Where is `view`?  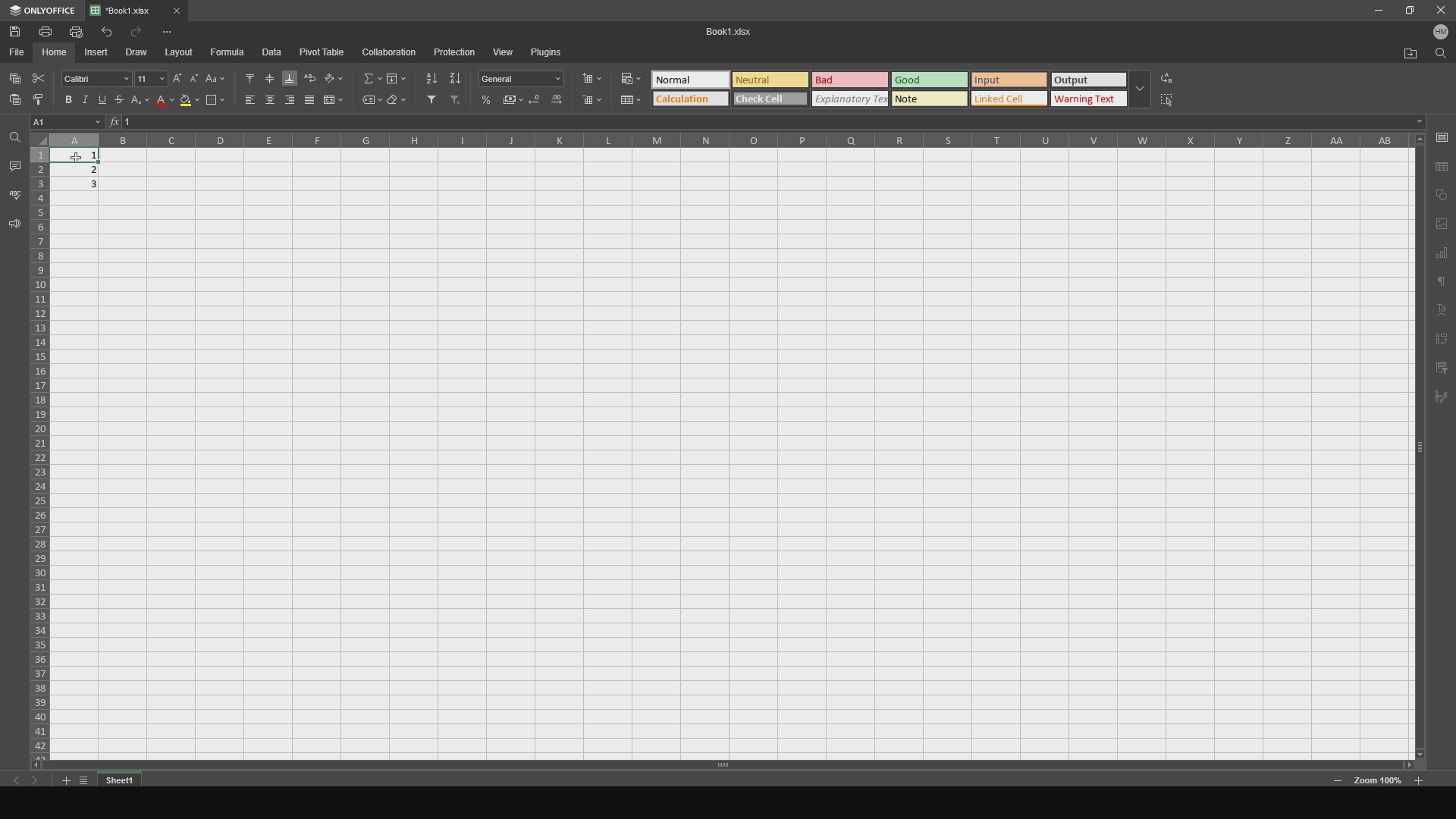
view is located at coordinates (504, 50).